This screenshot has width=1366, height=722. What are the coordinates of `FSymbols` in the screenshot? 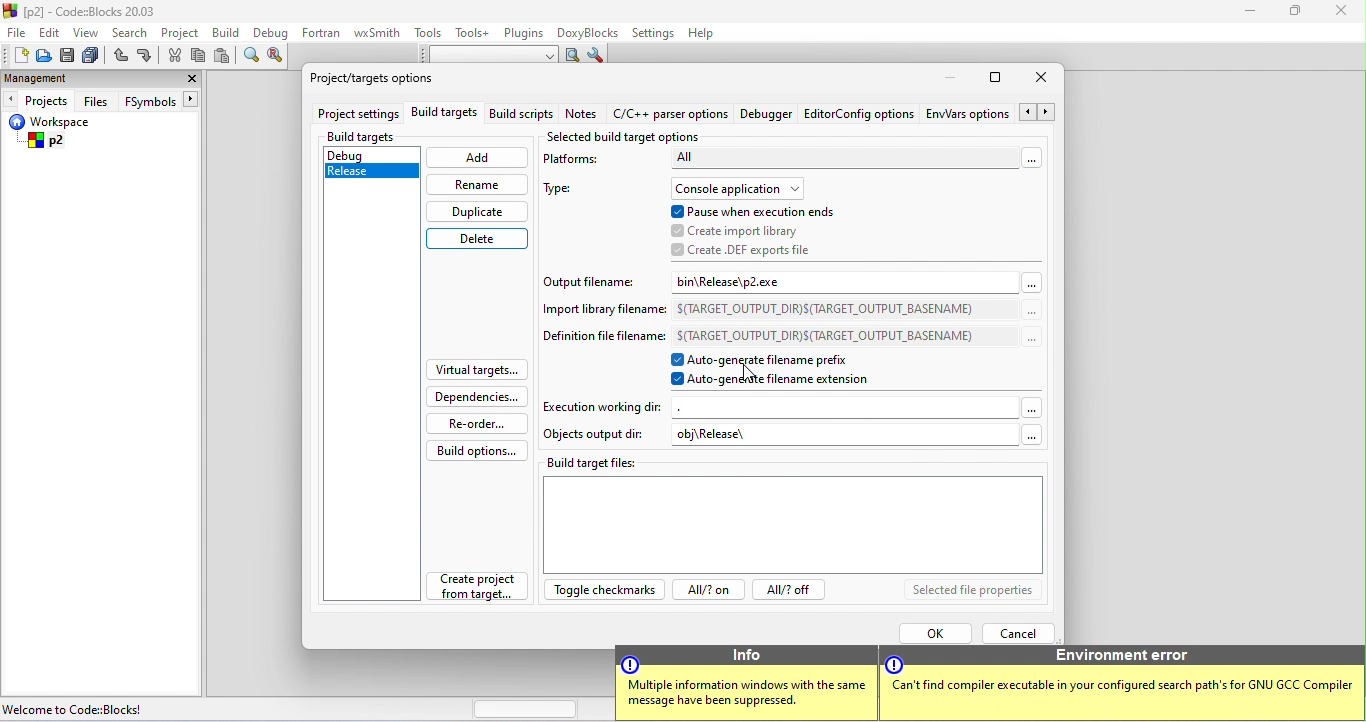 It's located at (163, 101).